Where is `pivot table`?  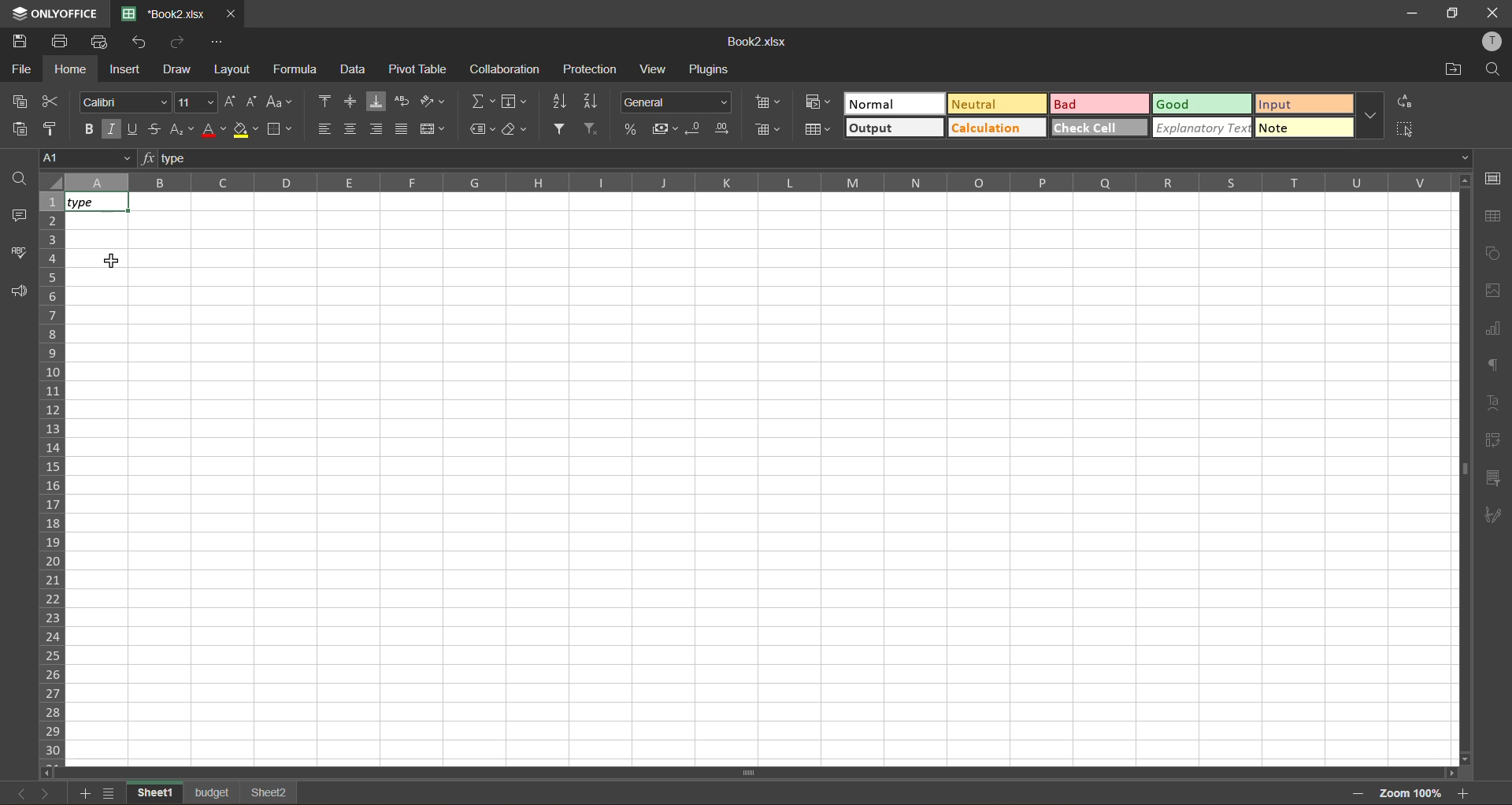
pivot table is located at coordinates (419, 72).